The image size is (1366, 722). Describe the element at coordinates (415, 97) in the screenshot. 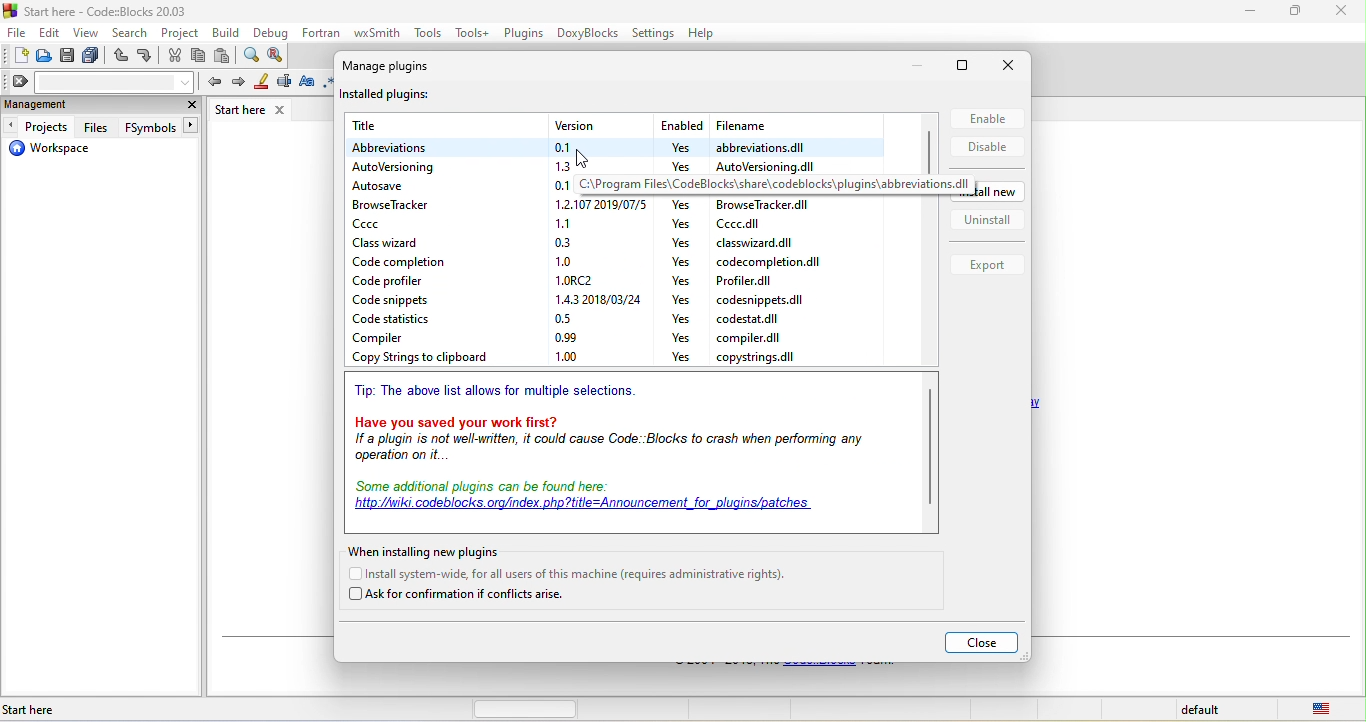

I see `installed plugins` at that location.